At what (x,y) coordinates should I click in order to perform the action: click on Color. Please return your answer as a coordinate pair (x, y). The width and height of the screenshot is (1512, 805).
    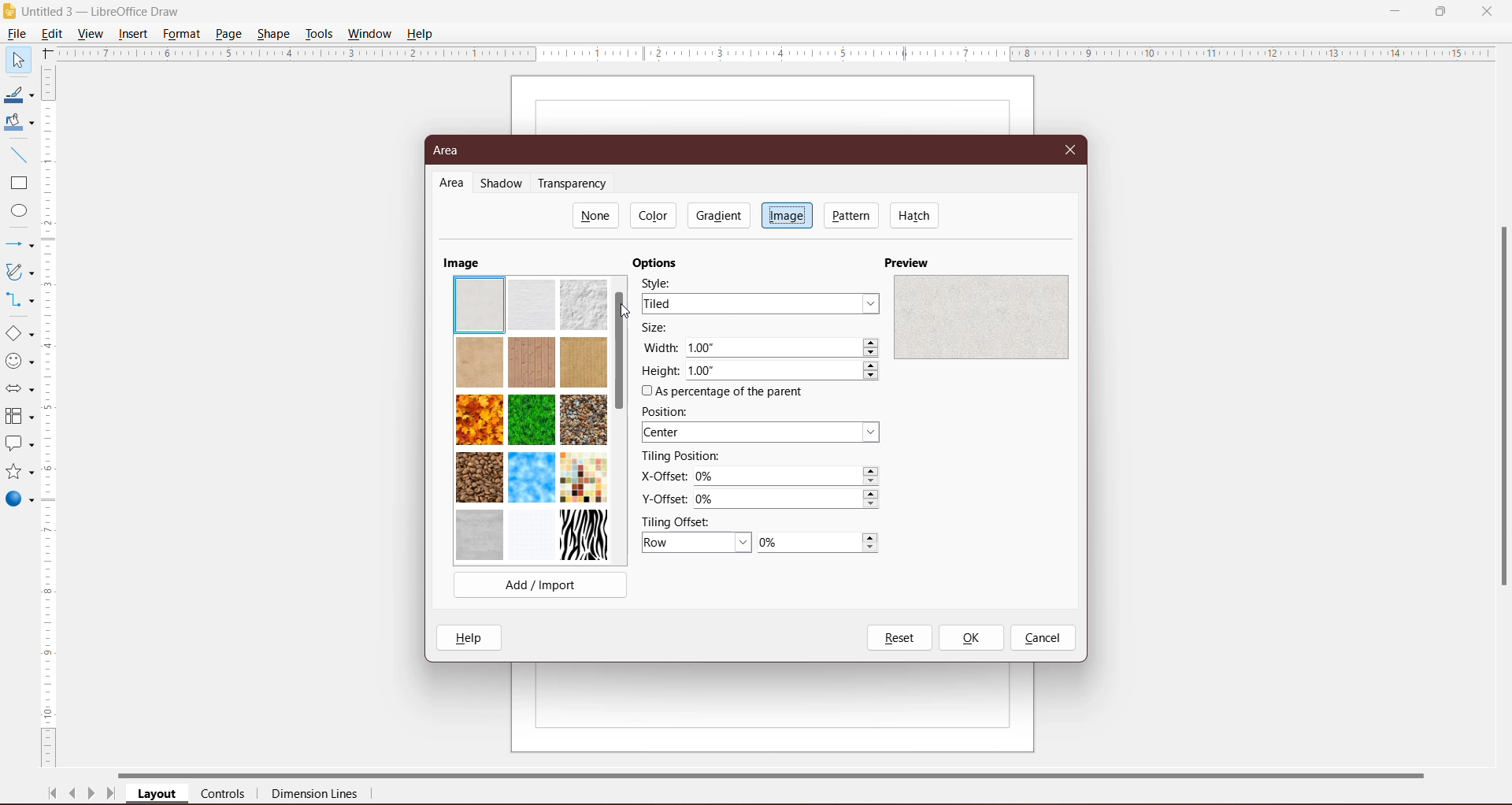
    Looking at the image, I should click on (655, 215).